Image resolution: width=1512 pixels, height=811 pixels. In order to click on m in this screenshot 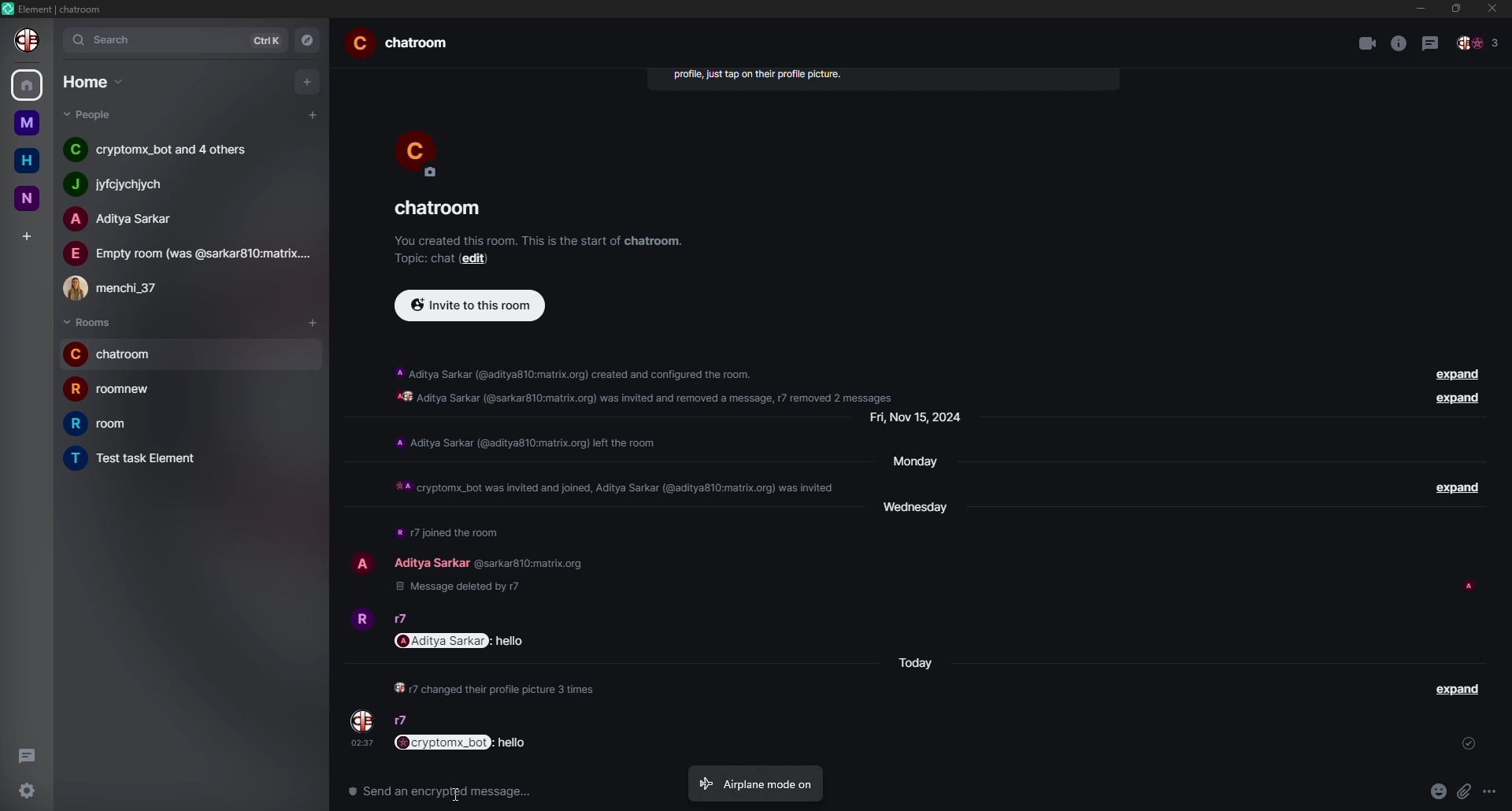, I will do `click(25, 122)`.